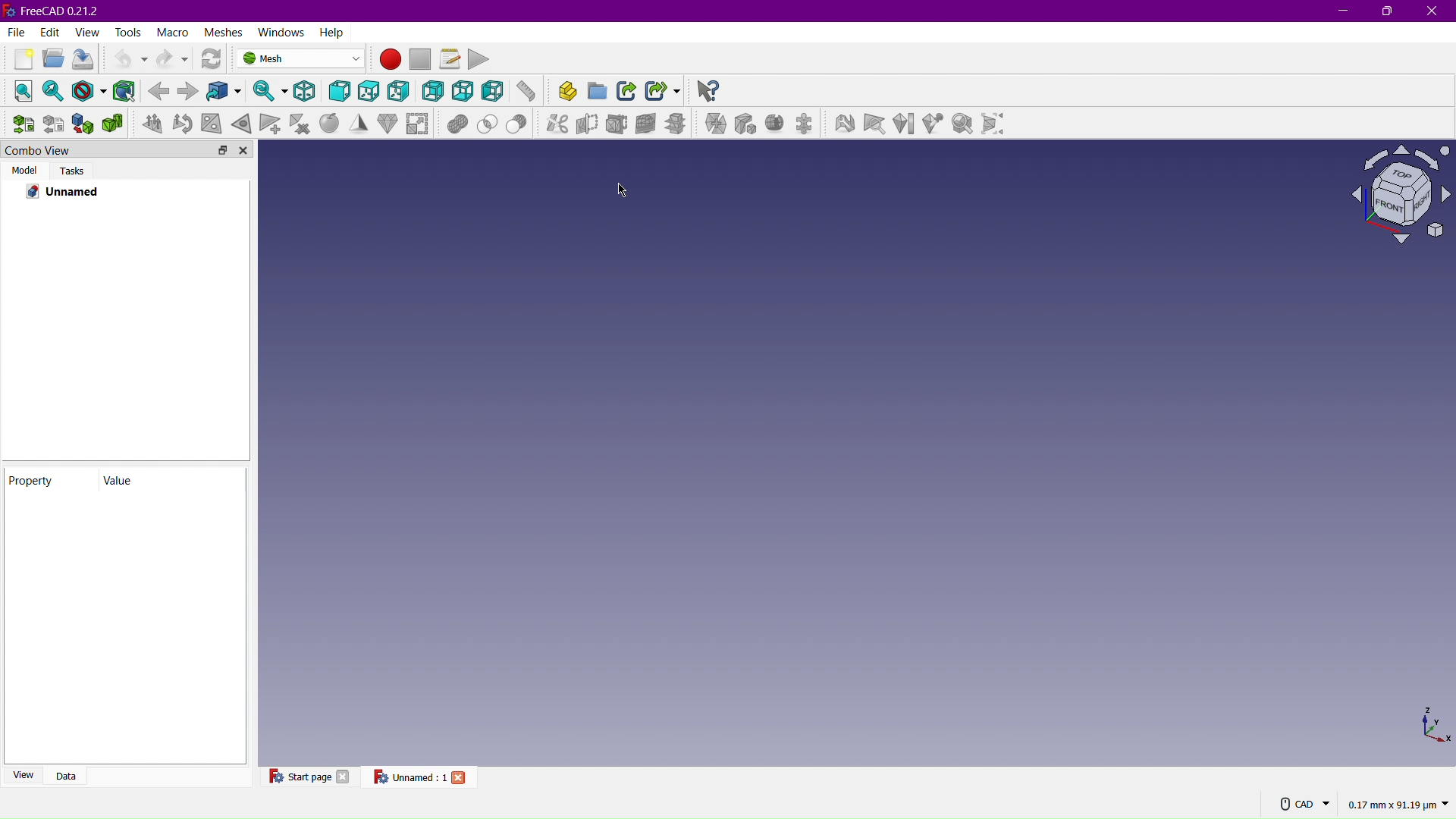 Image resolution: width=1456 pixels, height=819 pixels. Describe the element at coordinates (563, 93) in the screenshot. I see `Create part` at that location.